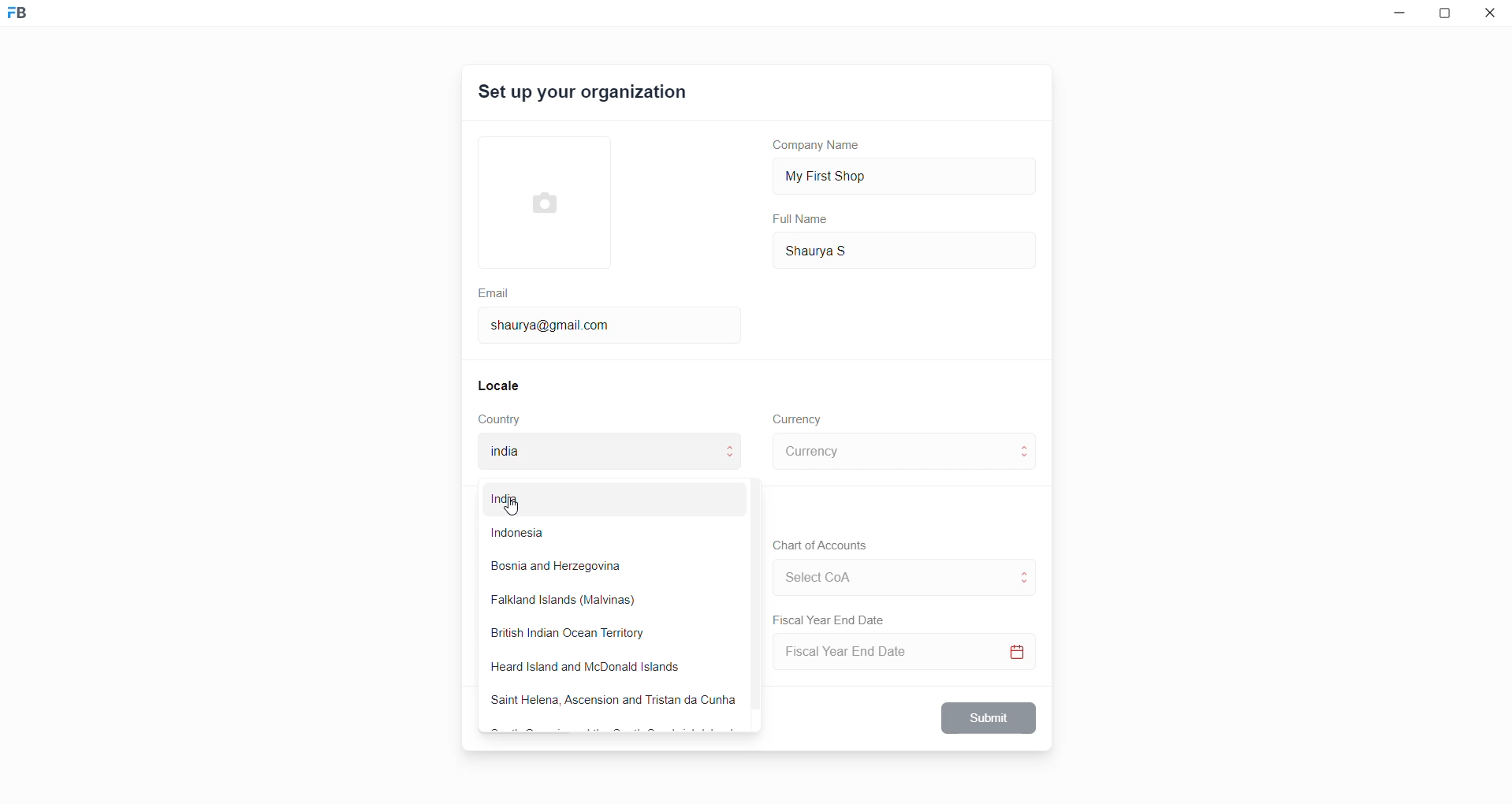 The image size is (1512, 804). I want to click on Submit , so click(990, 718).